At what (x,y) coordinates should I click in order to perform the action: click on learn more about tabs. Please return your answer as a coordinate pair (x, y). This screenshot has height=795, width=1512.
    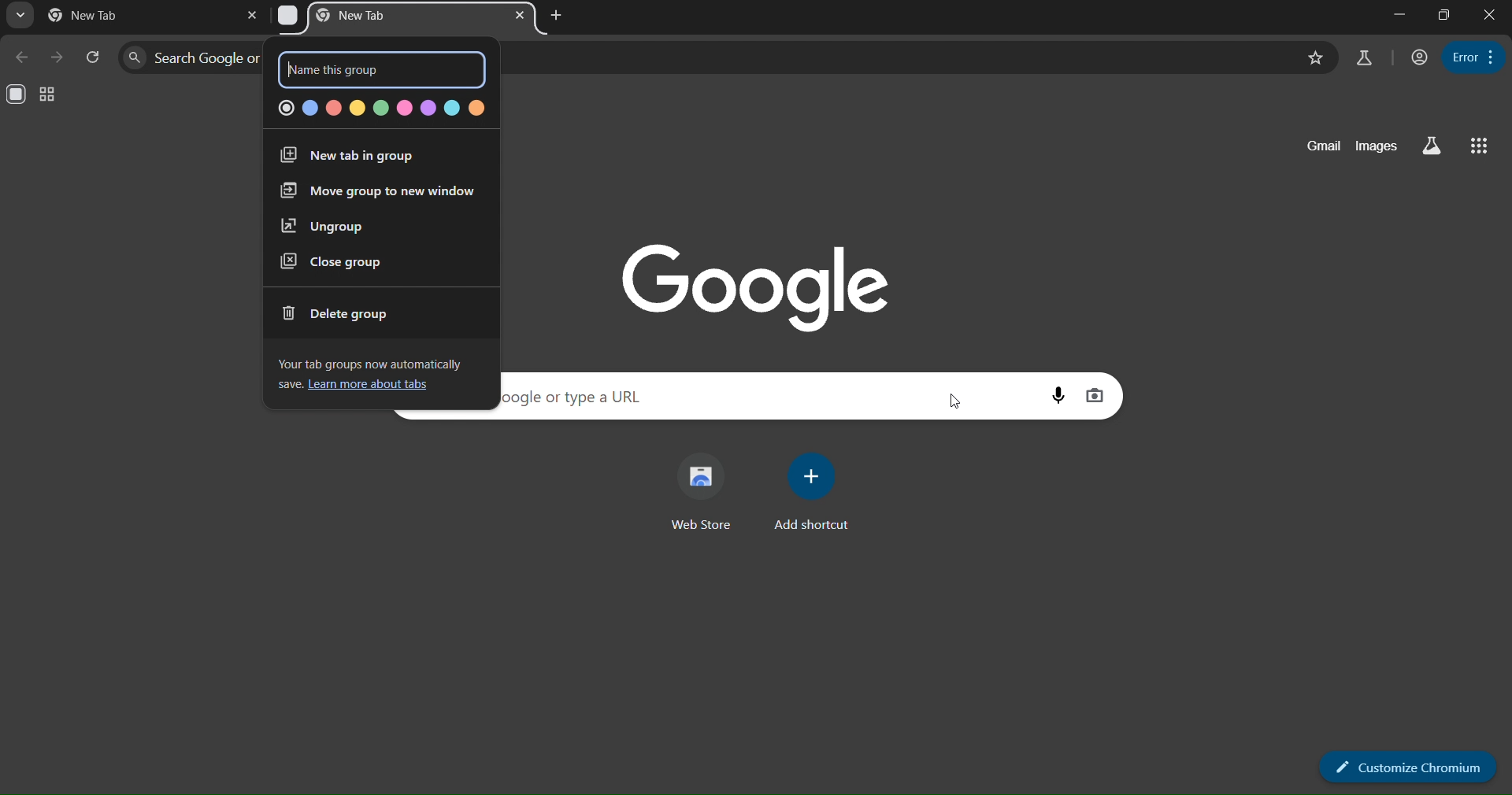
    Looking at the image, I should click on (367, 386).